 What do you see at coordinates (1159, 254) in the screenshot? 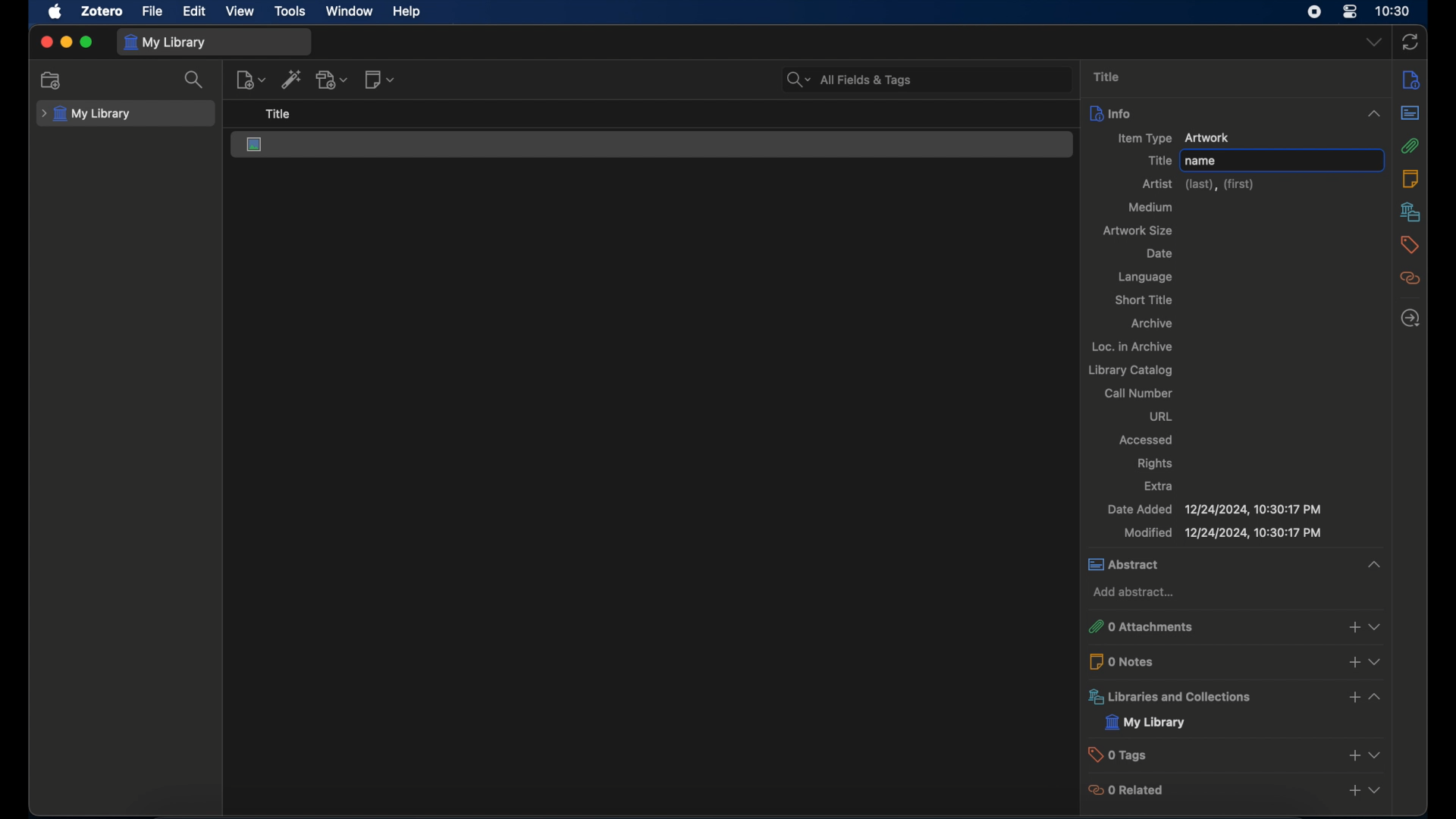
I see `date` at bounding box center [1159, 254].